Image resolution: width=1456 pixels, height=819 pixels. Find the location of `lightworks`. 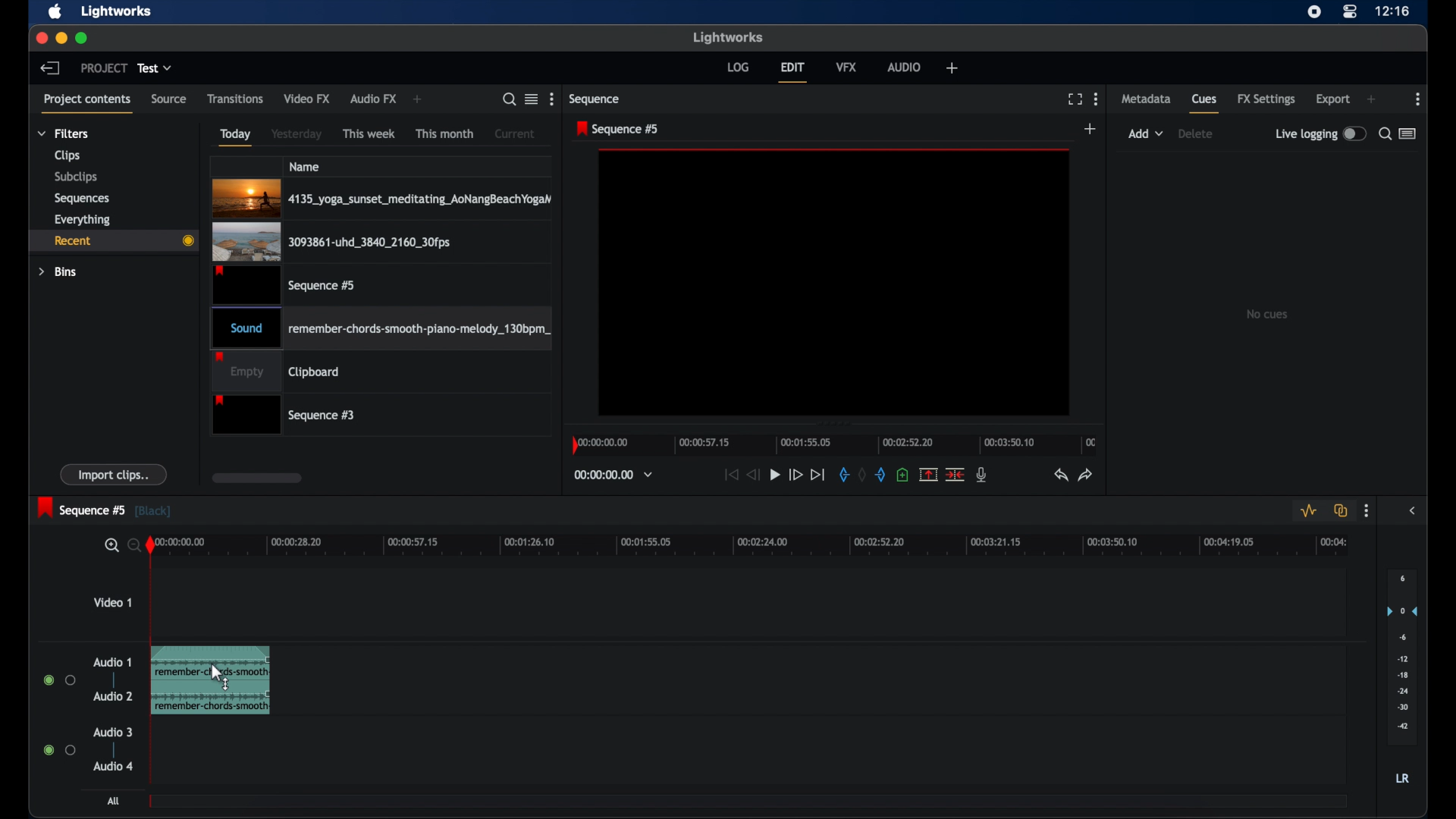

lightworks is located at coordinates (117, 11).